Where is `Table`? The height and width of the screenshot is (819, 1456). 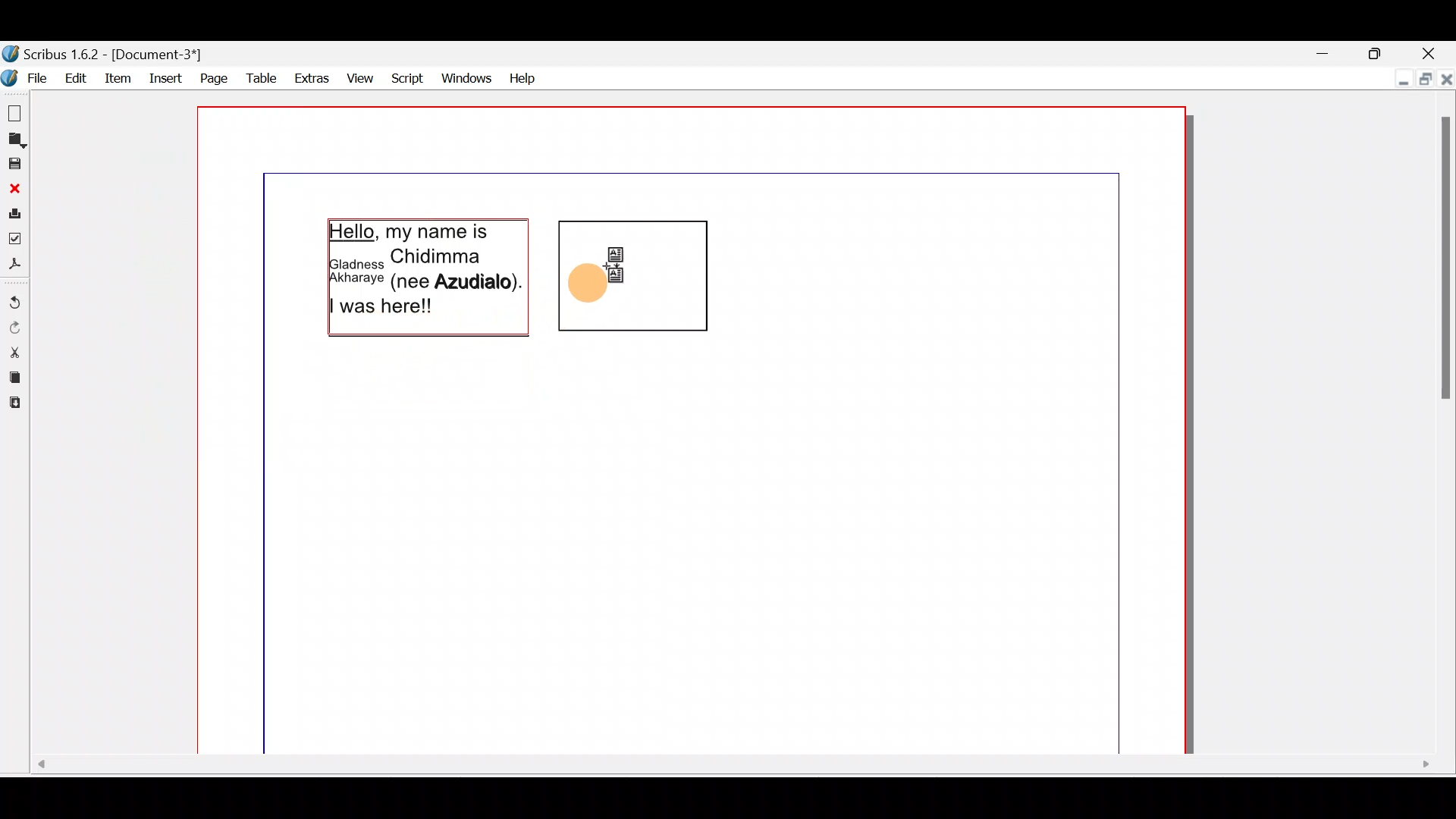 Table is located at coordinates (256, 78).